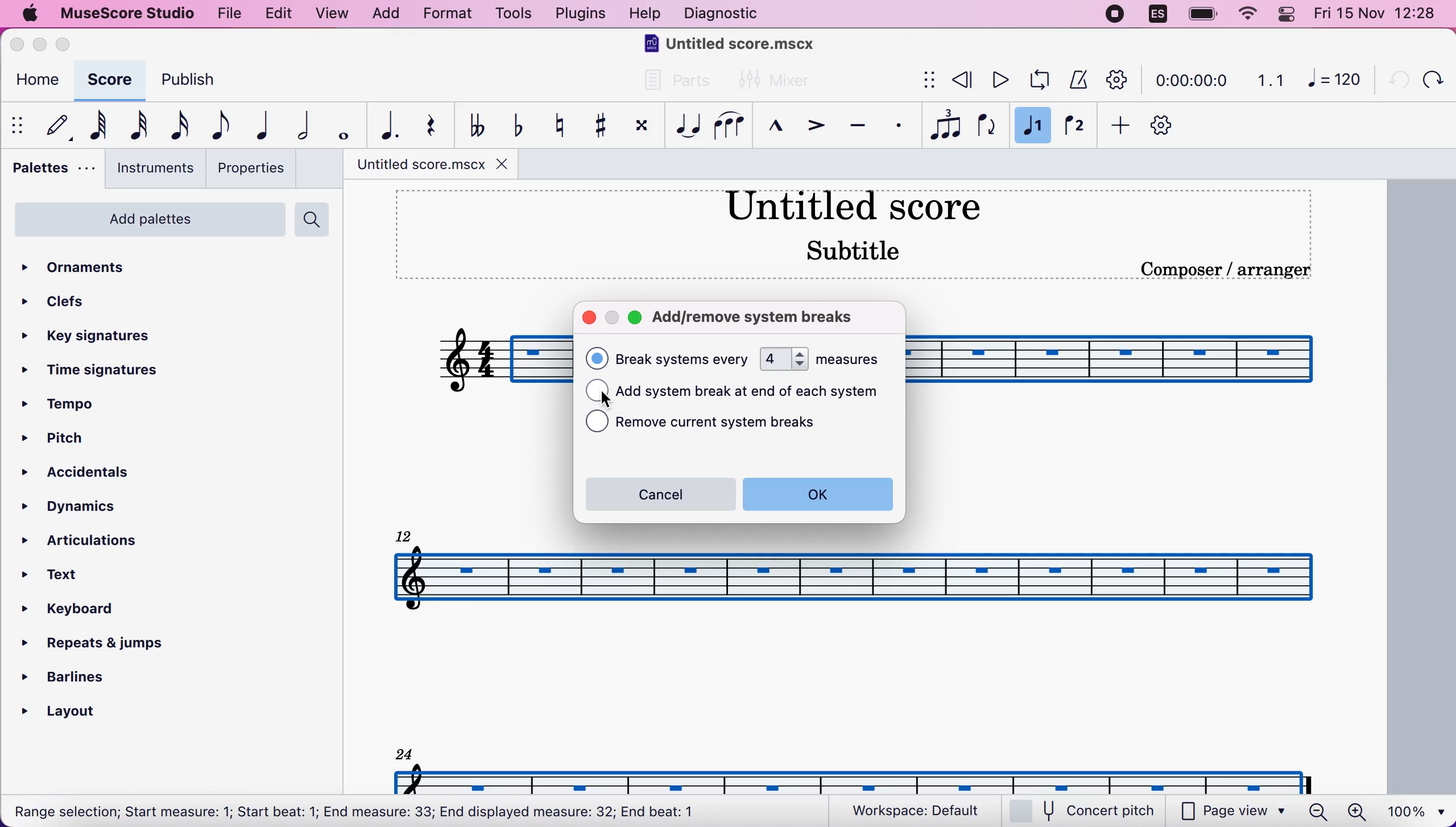 The image size is (1456, 827). Describe the element at coordinates (856, 249) in the screenshot. I see `Subtitle` at that location.